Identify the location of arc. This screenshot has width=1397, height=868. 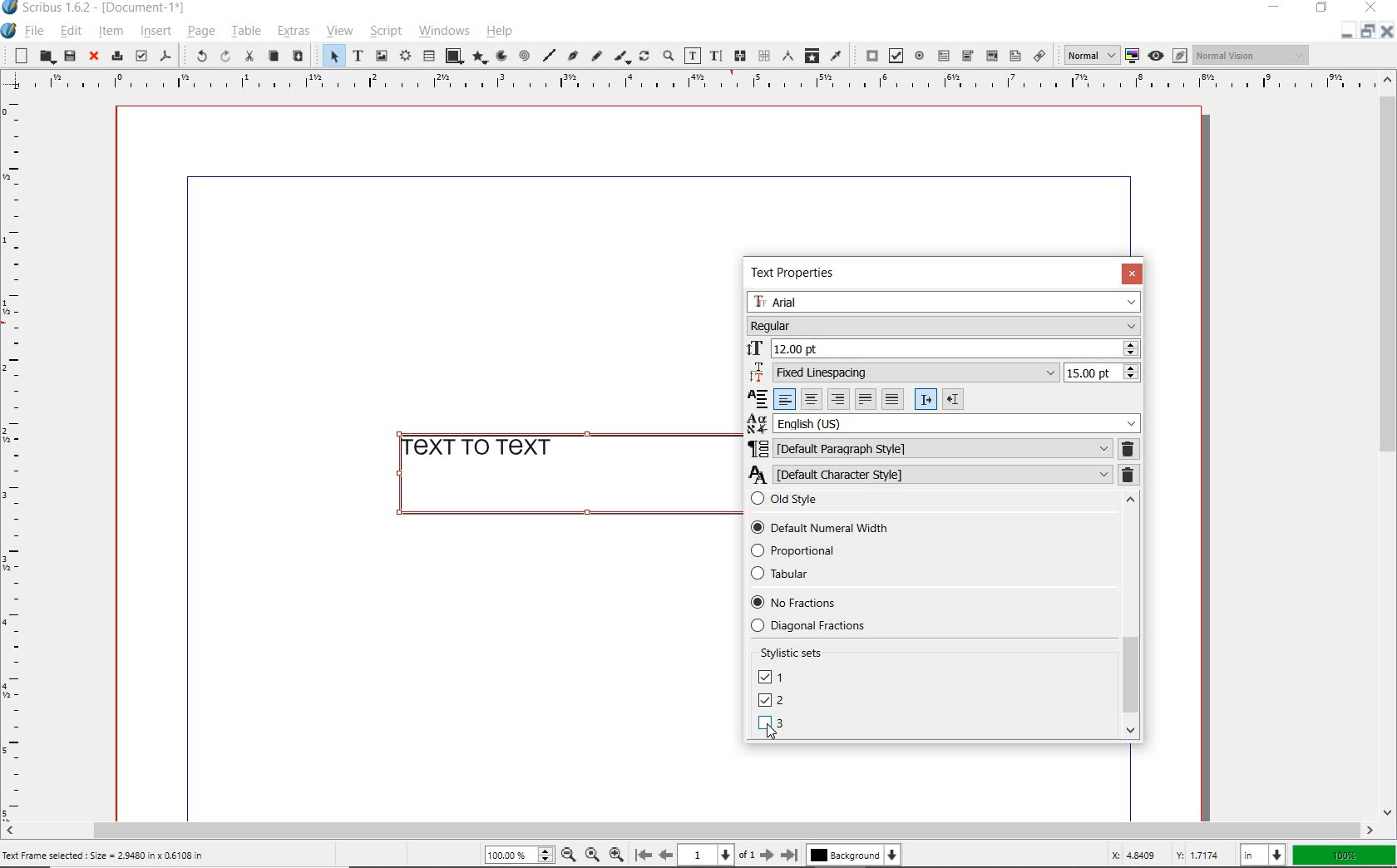
(500, 57).